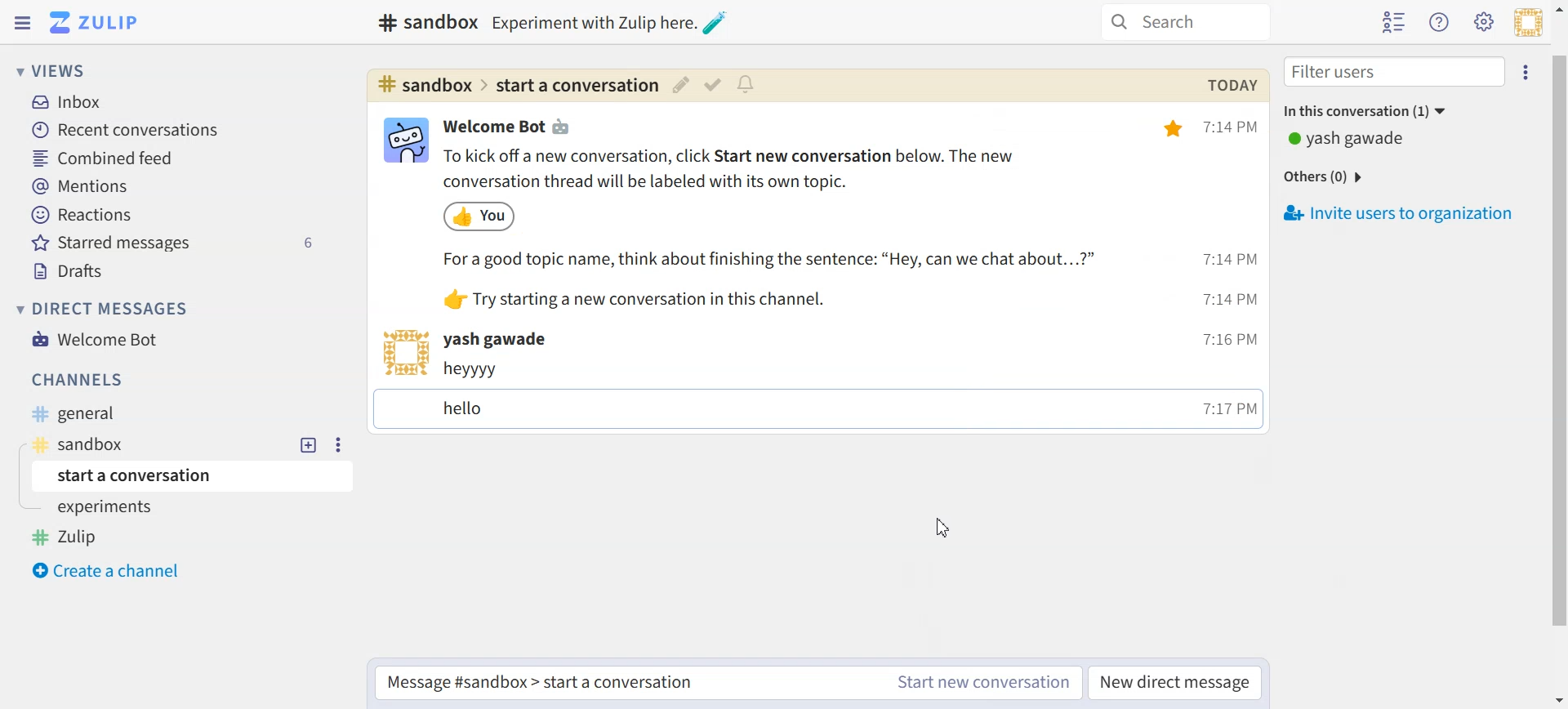 The width and height of the screenshot is (1568, 709). What do you see at coordinates (72, 270) in the screenshot?
I see `Drafts` at bounding box center [72, 270].